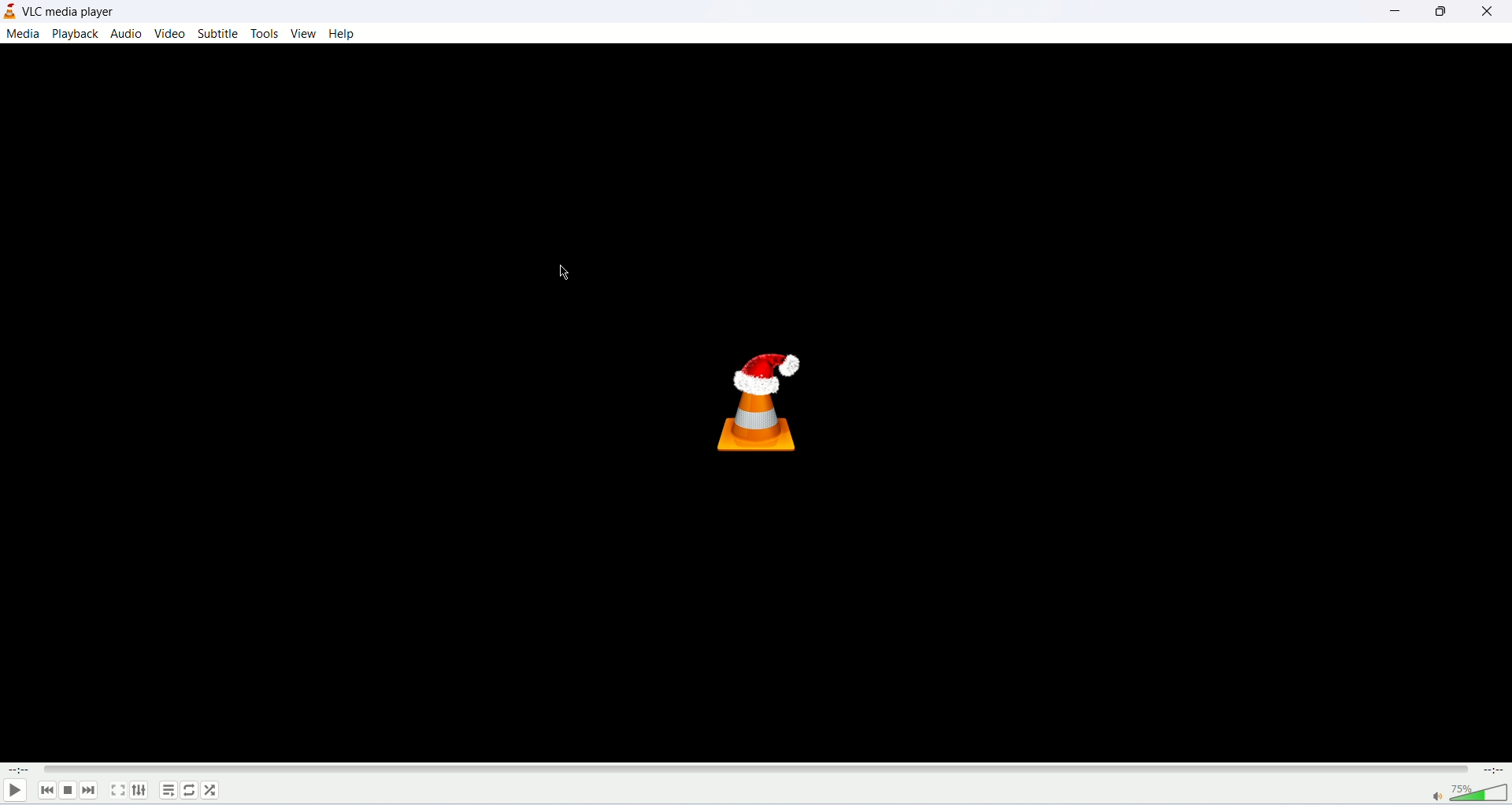  What do you see at coordinates (1494, 772) in the screenshot?
I see `total time` at bounding box center [1494, 772].